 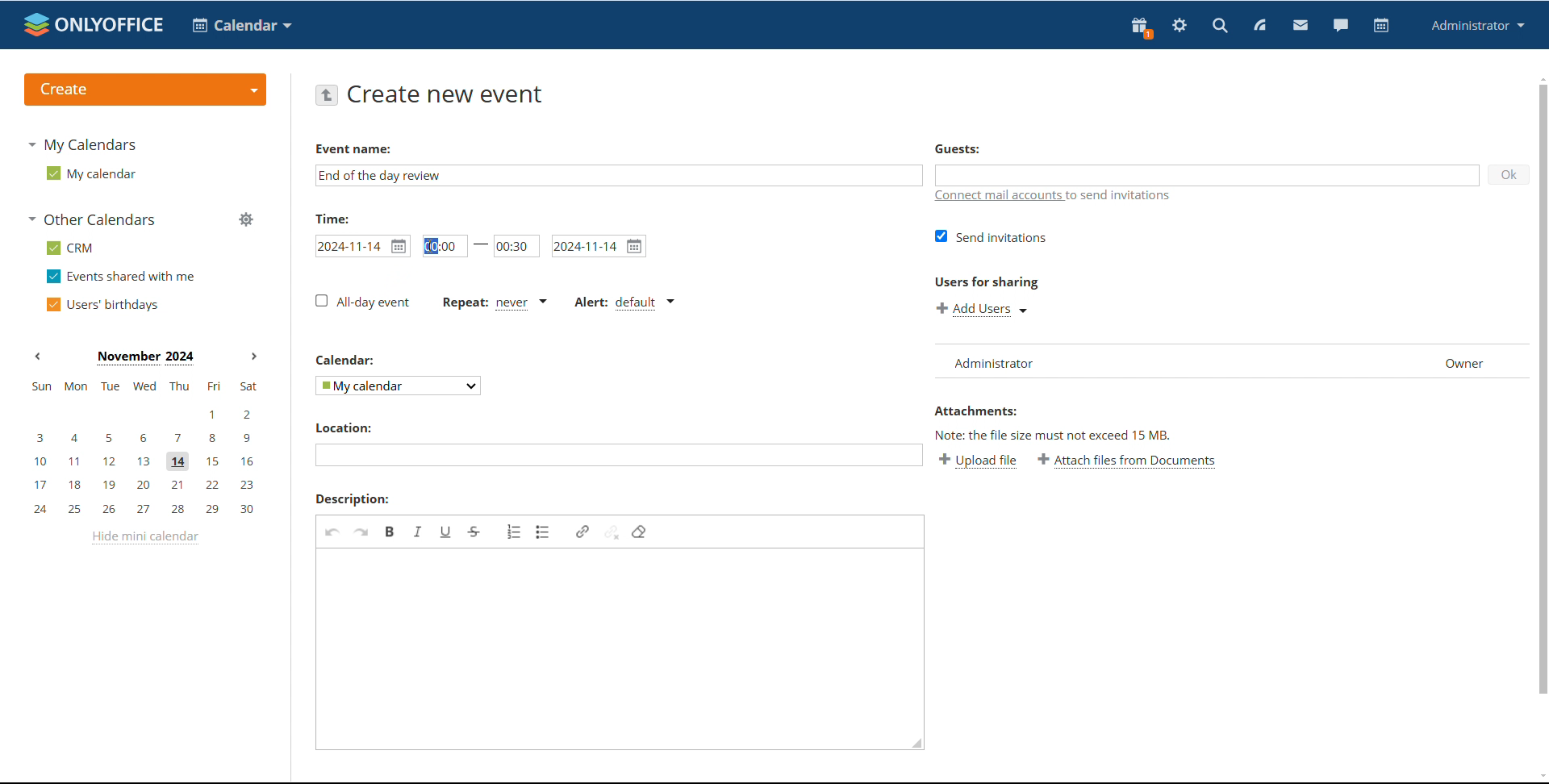 I want to click on mail, so click(x=1301, y=27).